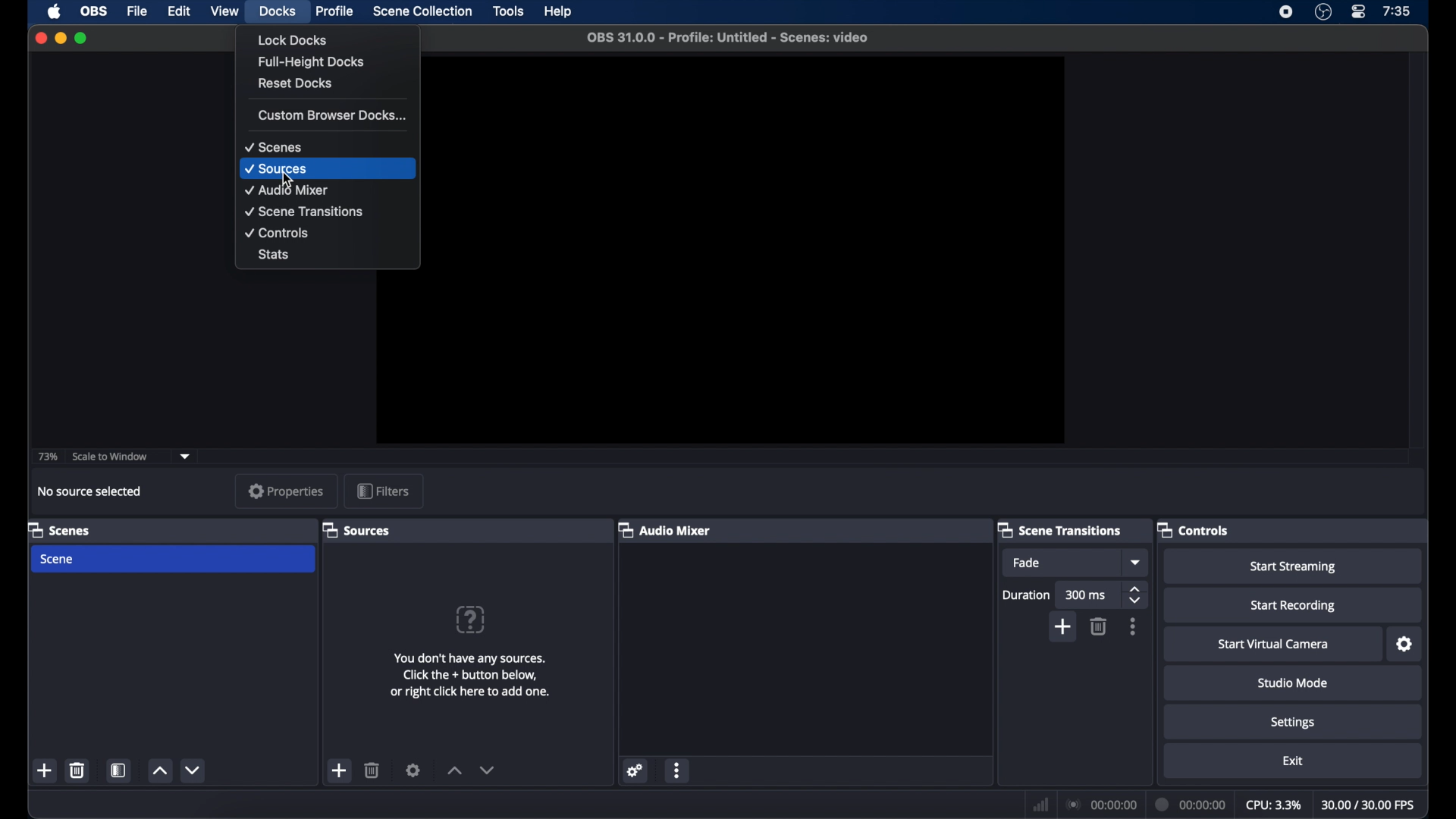  Describe the element at coordinates (1194, 529) in the screenshot. I see `controls` at that location.